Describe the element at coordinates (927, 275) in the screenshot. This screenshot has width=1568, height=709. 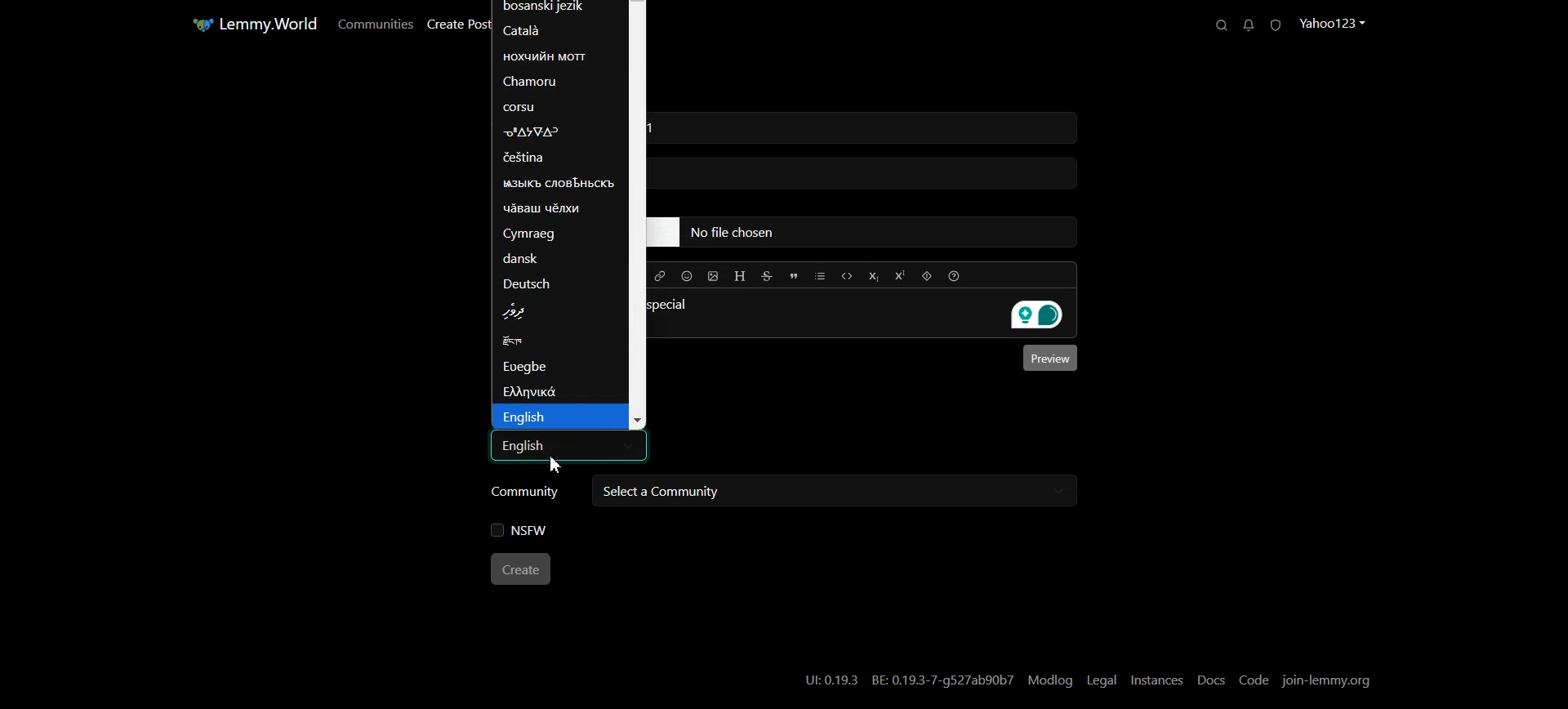
I see `Spoiler` at that location.